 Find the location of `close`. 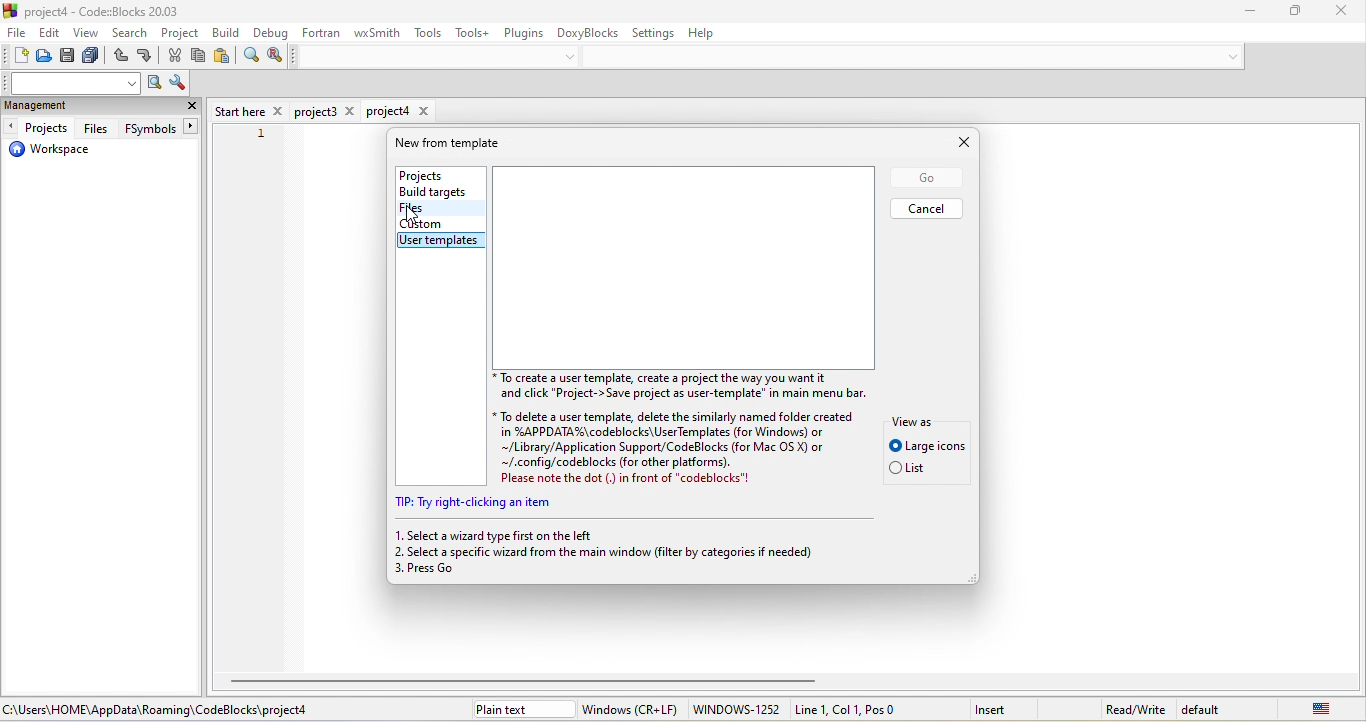

close is located at coordinates (1333, 10).